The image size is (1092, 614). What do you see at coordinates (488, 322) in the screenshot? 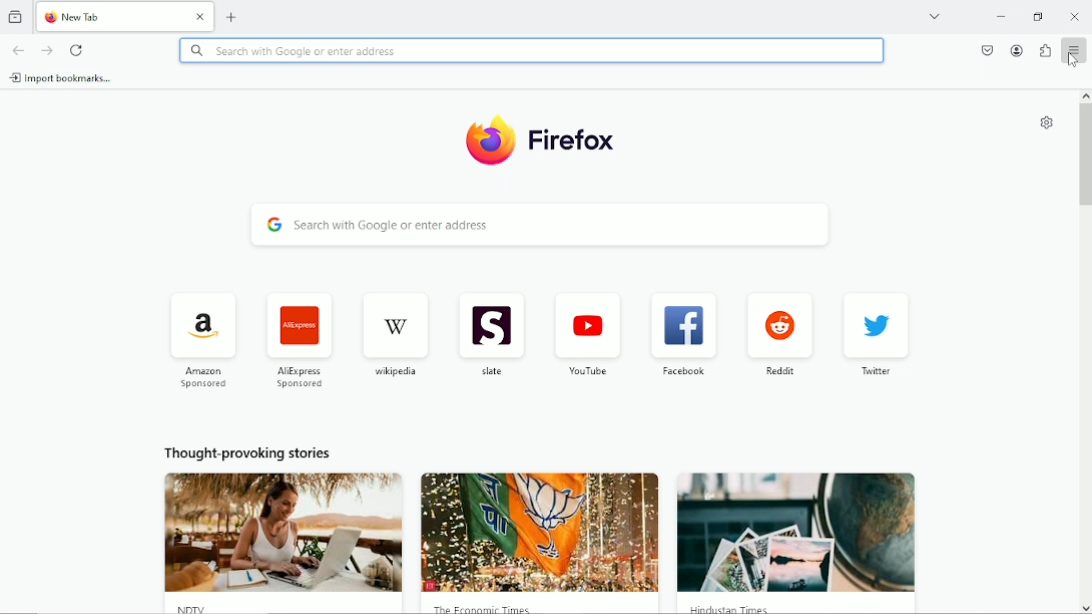
I see `icon` at bounding box center [488, 322].